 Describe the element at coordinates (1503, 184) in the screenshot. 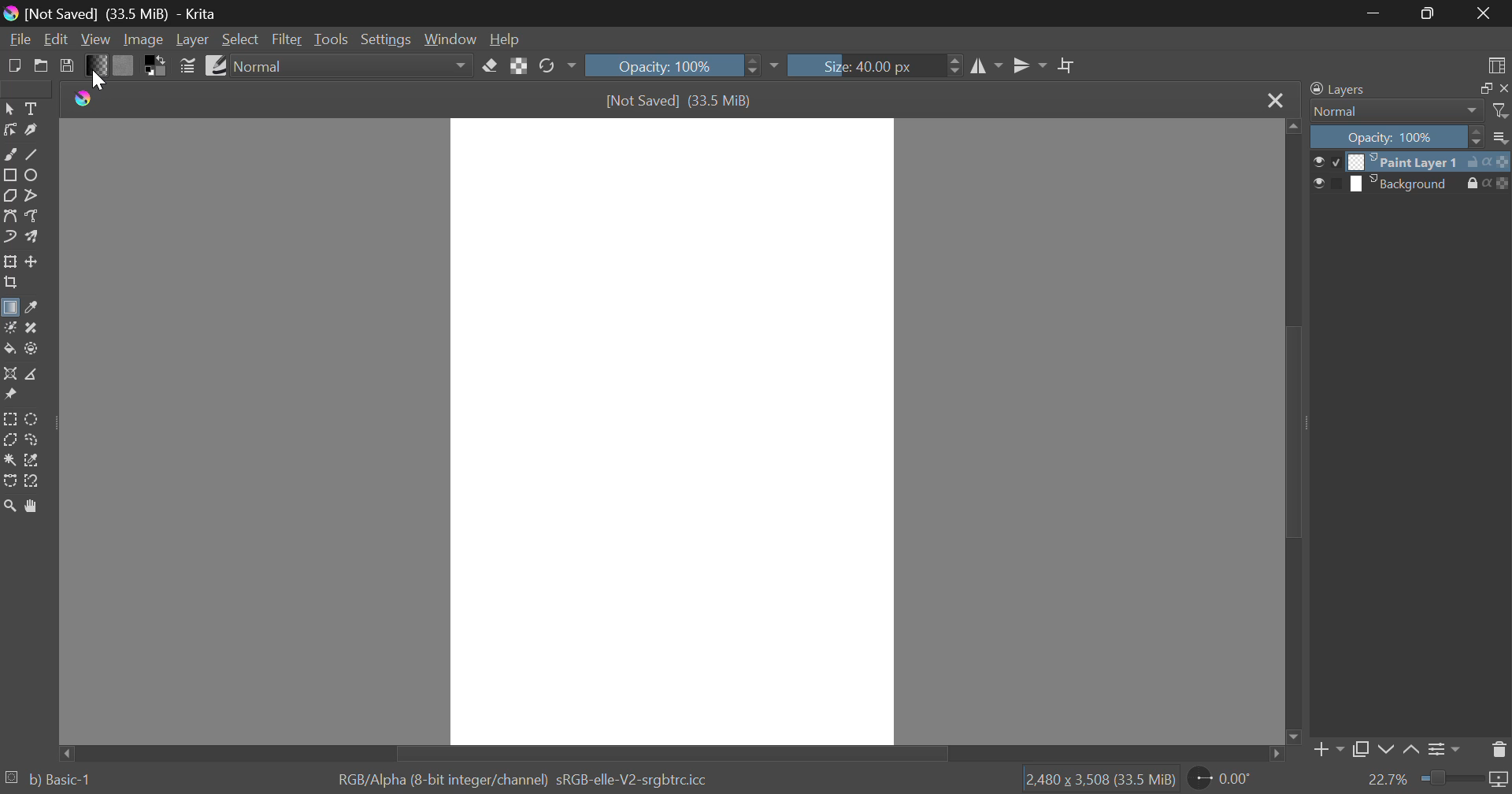

I see `icon` at that location.